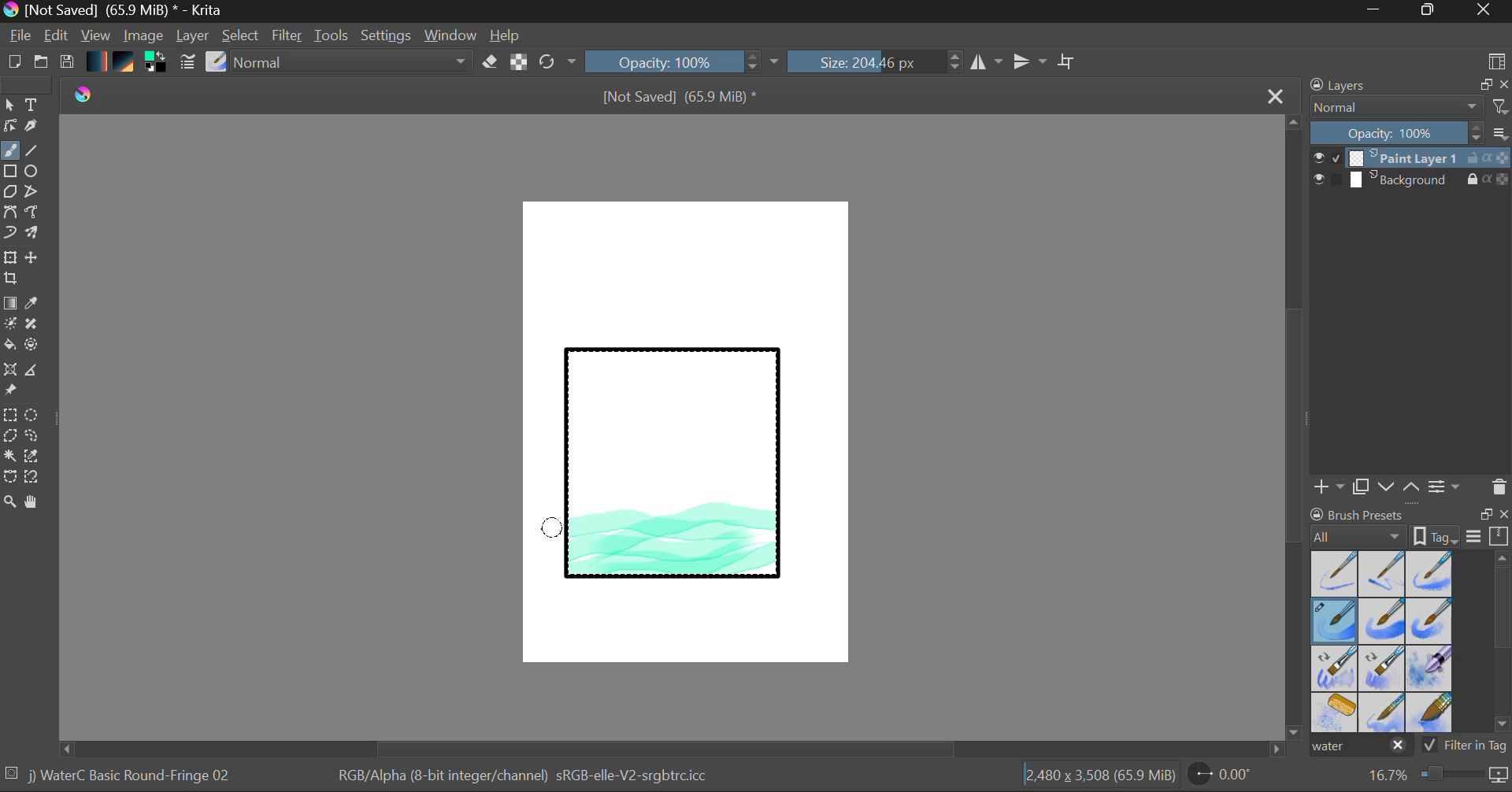 The width and height of the screenshot is (1512, 792). What do you see at coordinates (13, 279) in the screenshot?
I see `Crop` at bounding box center [13, 279].